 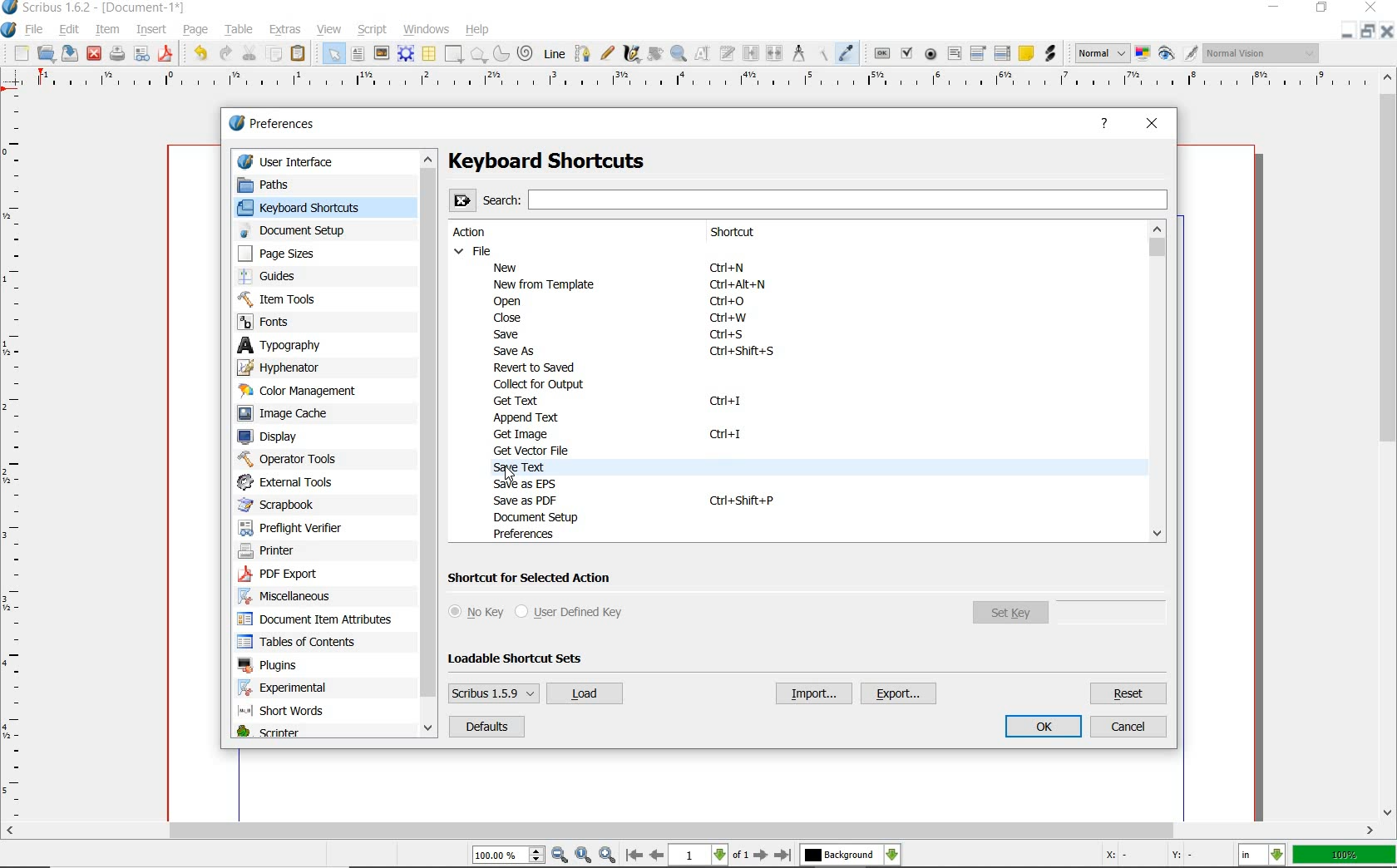 What do you see at coordinates (655, 55) in the screenshot?
I see `rotate item` at bounding box center [655, 55].